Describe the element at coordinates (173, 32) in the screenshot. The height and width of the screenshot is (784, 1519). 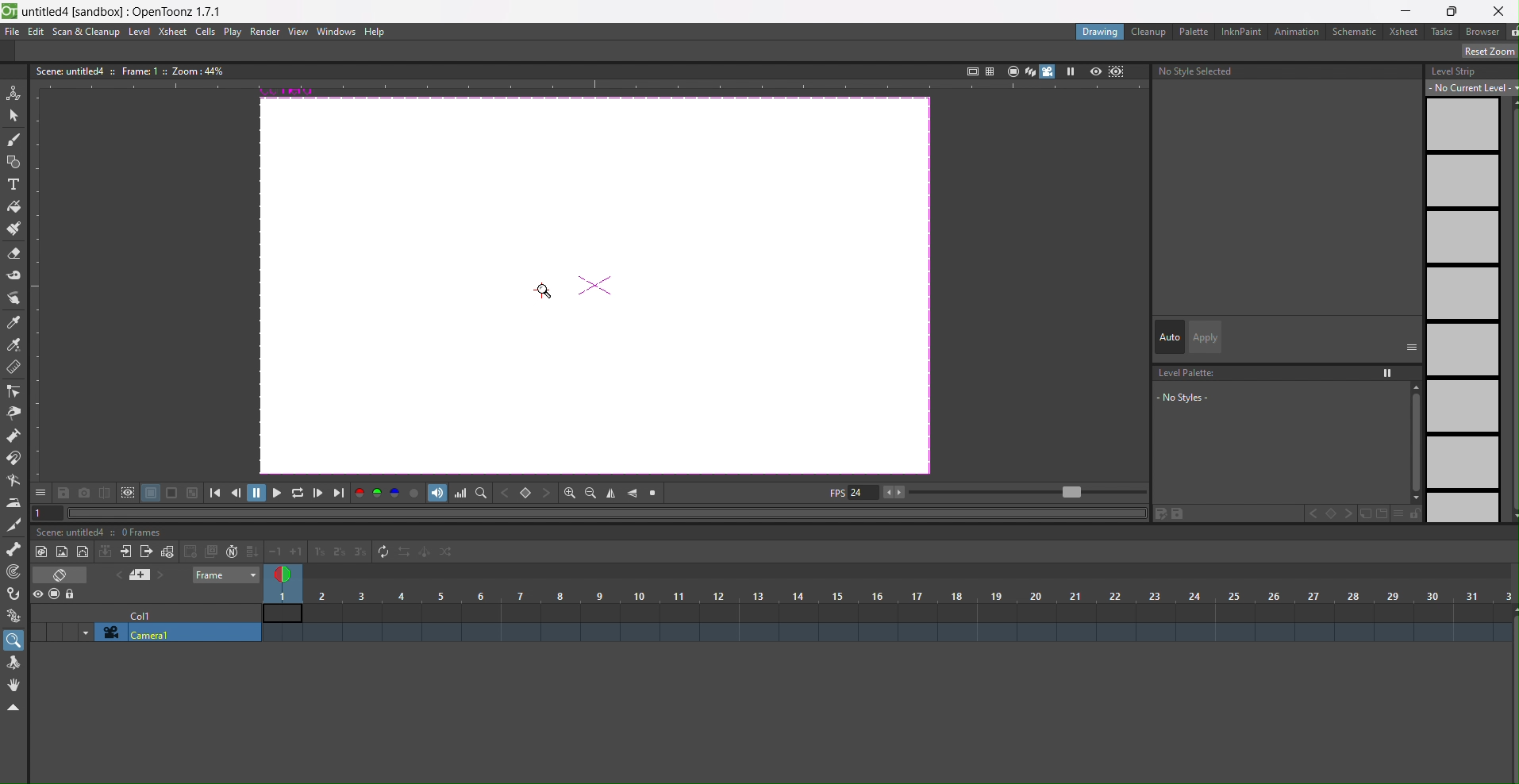
I see `xsheet` at that location.